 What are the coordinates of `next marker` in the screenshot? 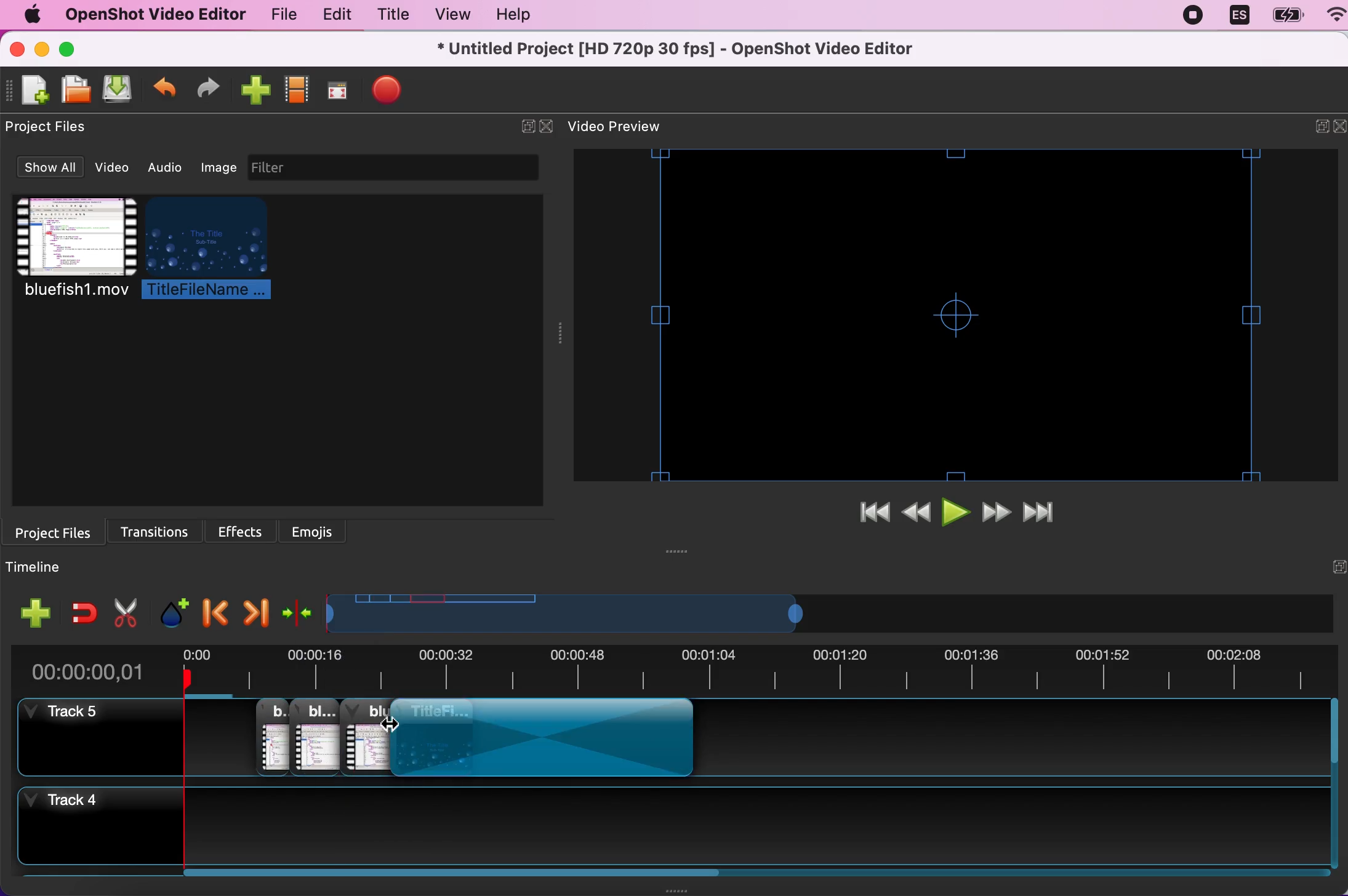 It's located at (255, 609).